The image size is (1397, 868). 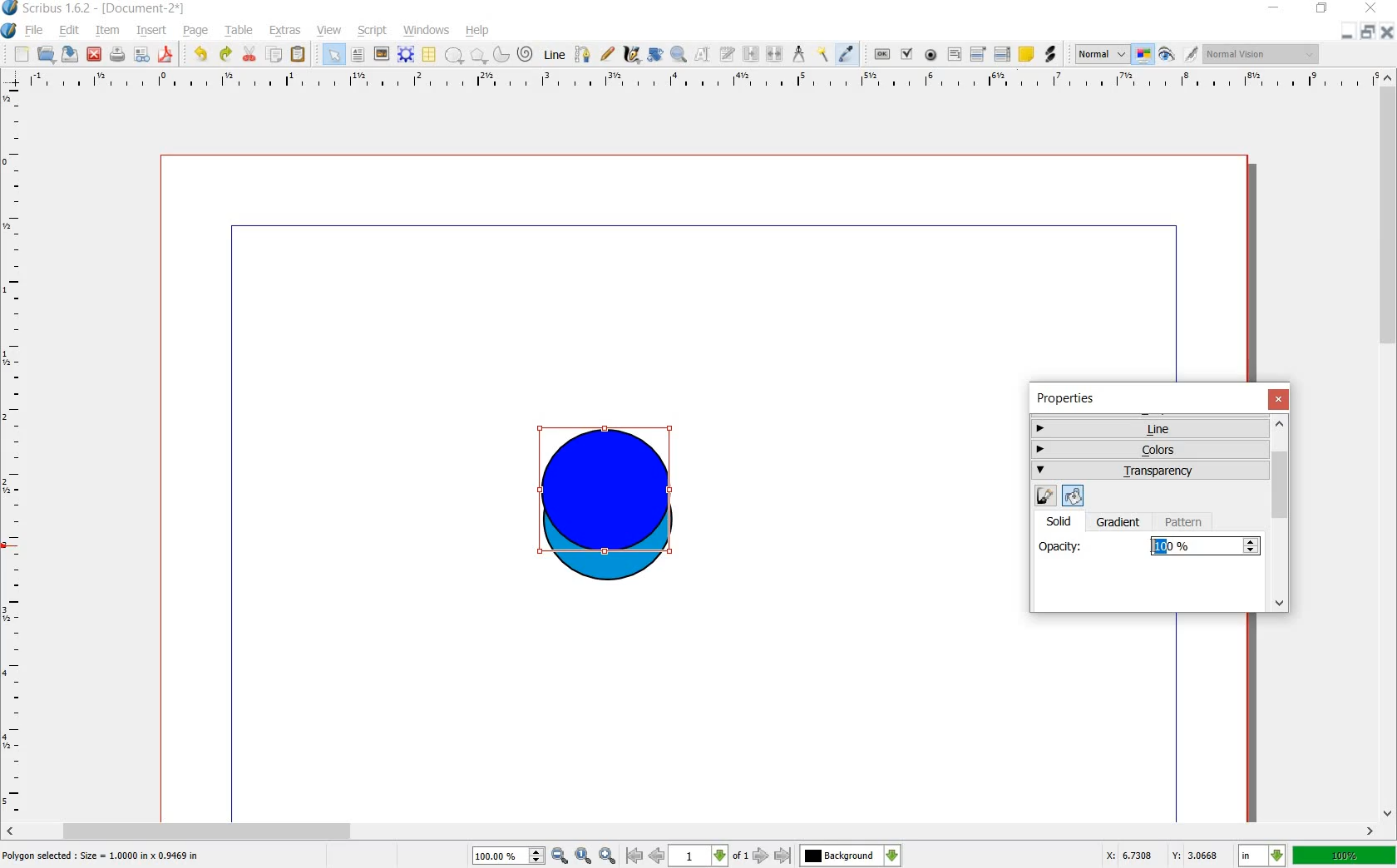 I want to click on save, so click(x=70, y=54).